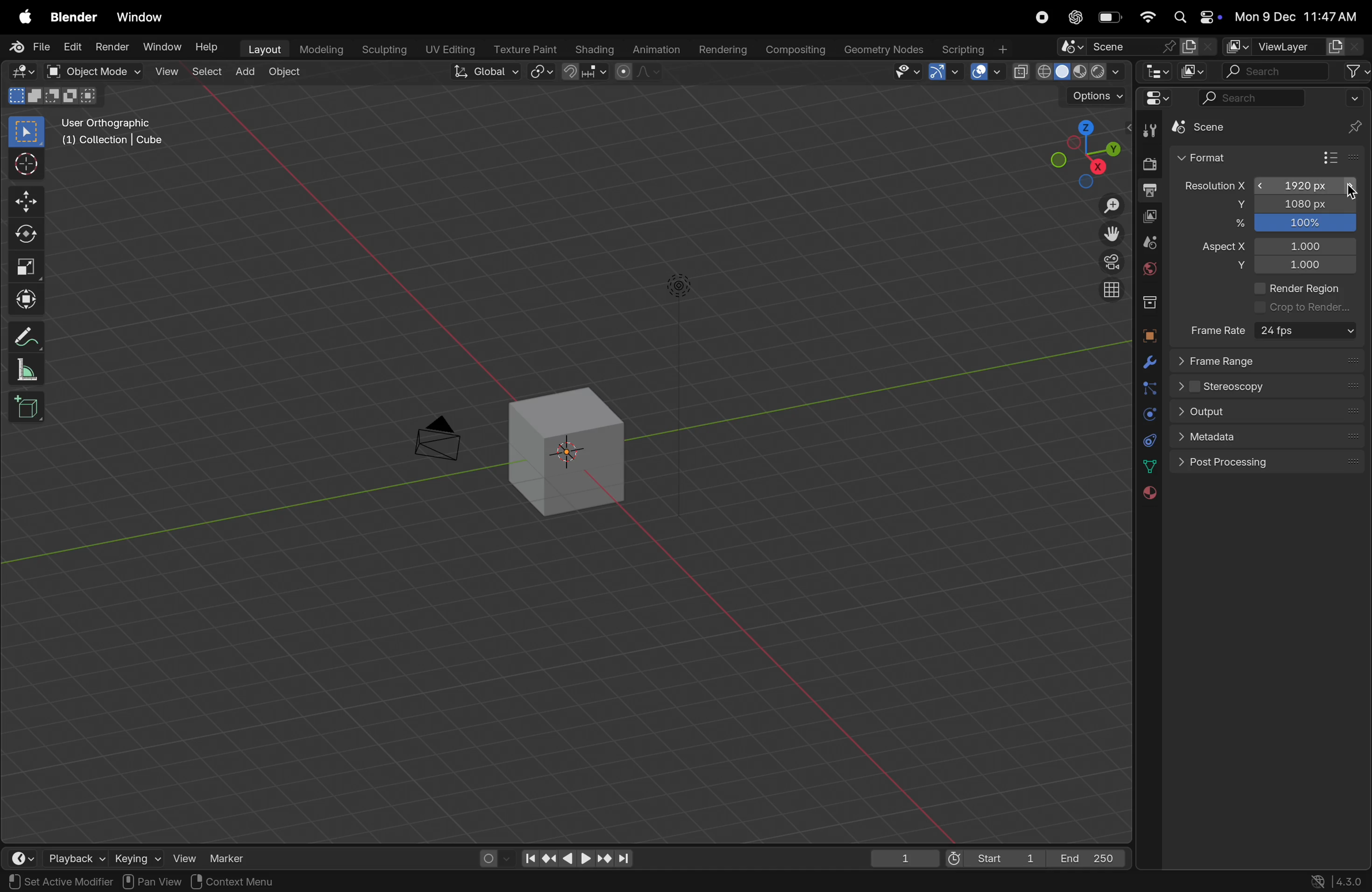 This screenshot has width=1372, height=892. What do you see at coordinates (1219, 330) in the screenshot?
I see `frame` at bounding box center [1219, 330].